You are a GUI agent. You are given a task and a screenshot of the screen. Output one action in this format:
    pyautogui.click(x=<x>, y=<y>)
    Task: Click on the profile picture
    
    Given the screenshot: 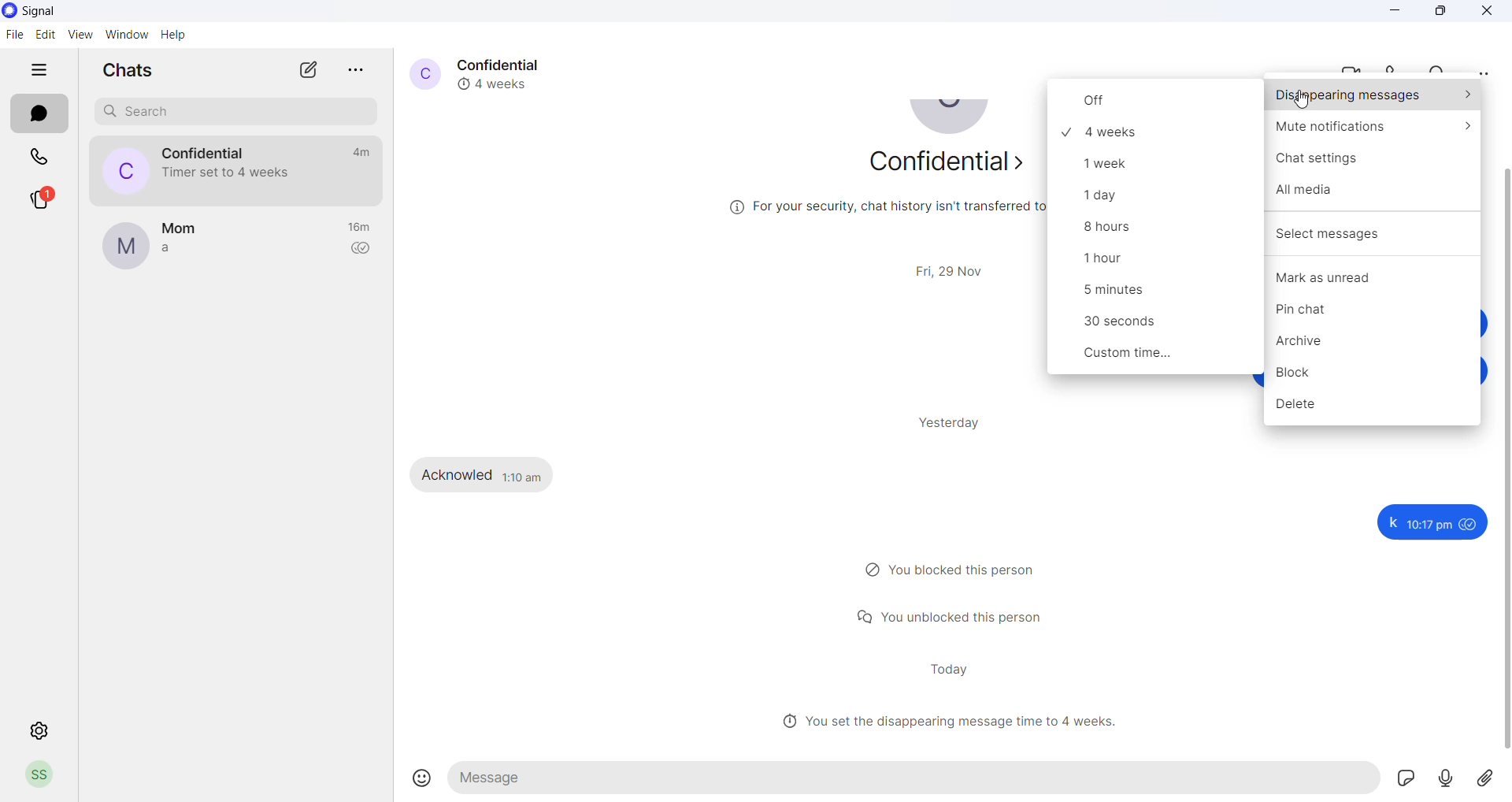 What is the action you would take?
    pyautogui.click(x=421, y=72)
    